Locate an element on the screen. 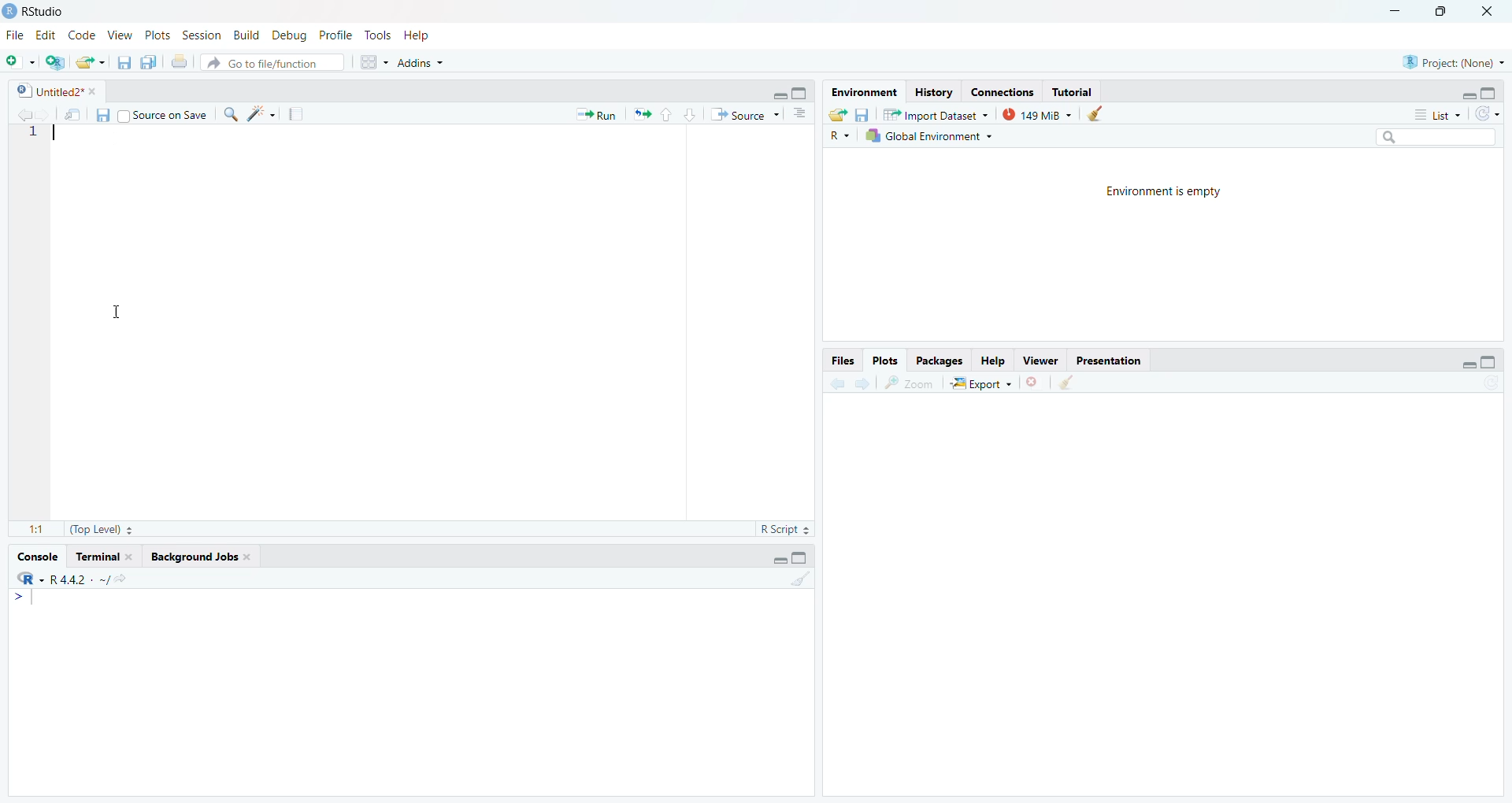 The height and width of the screenshot is (803, 1512). Session is located at coordinates (201, 35).